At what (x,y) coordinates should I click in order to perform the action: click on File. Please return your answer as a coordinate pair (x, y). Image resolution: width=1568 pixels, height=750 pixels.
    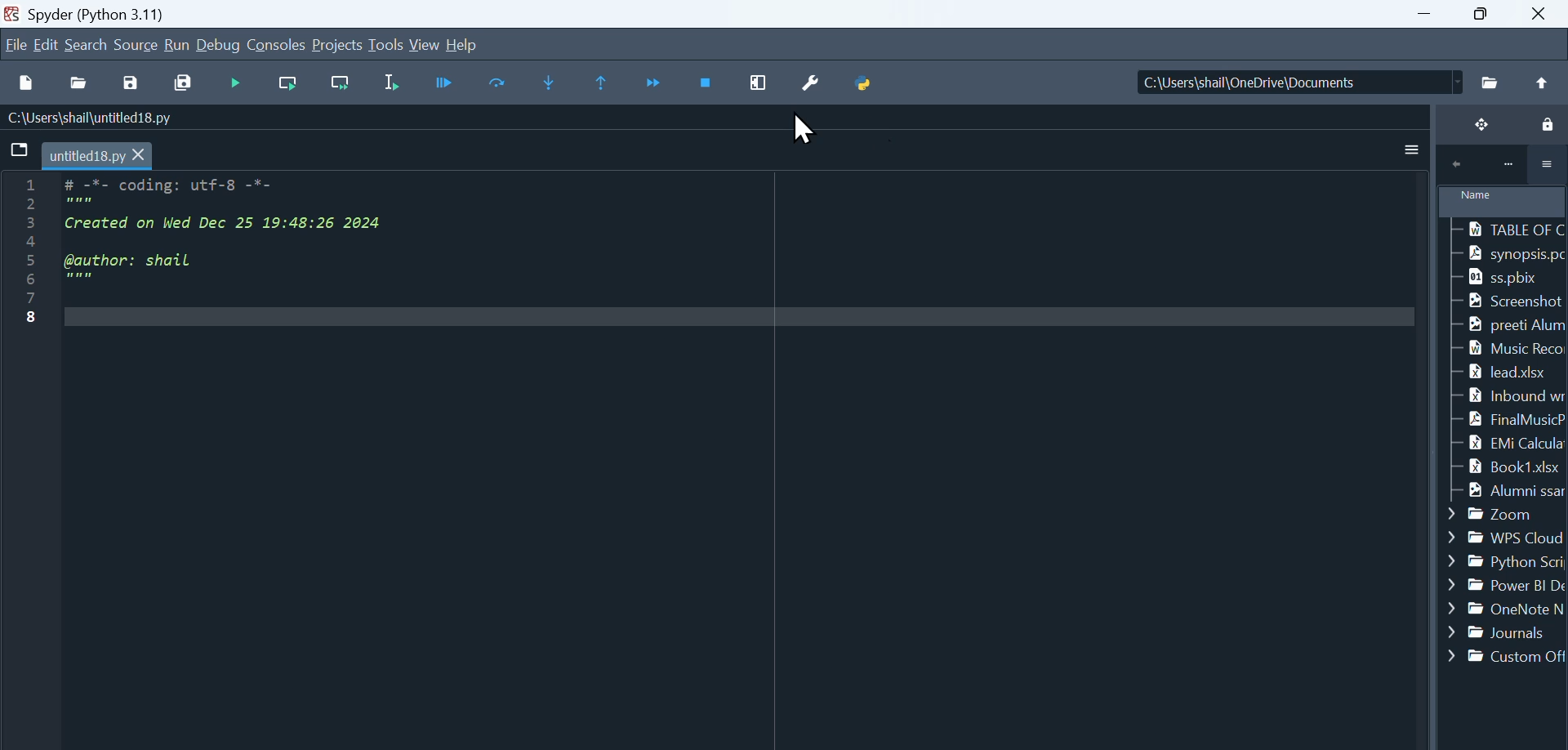
    Looking at the image, I should click on (16, 42).